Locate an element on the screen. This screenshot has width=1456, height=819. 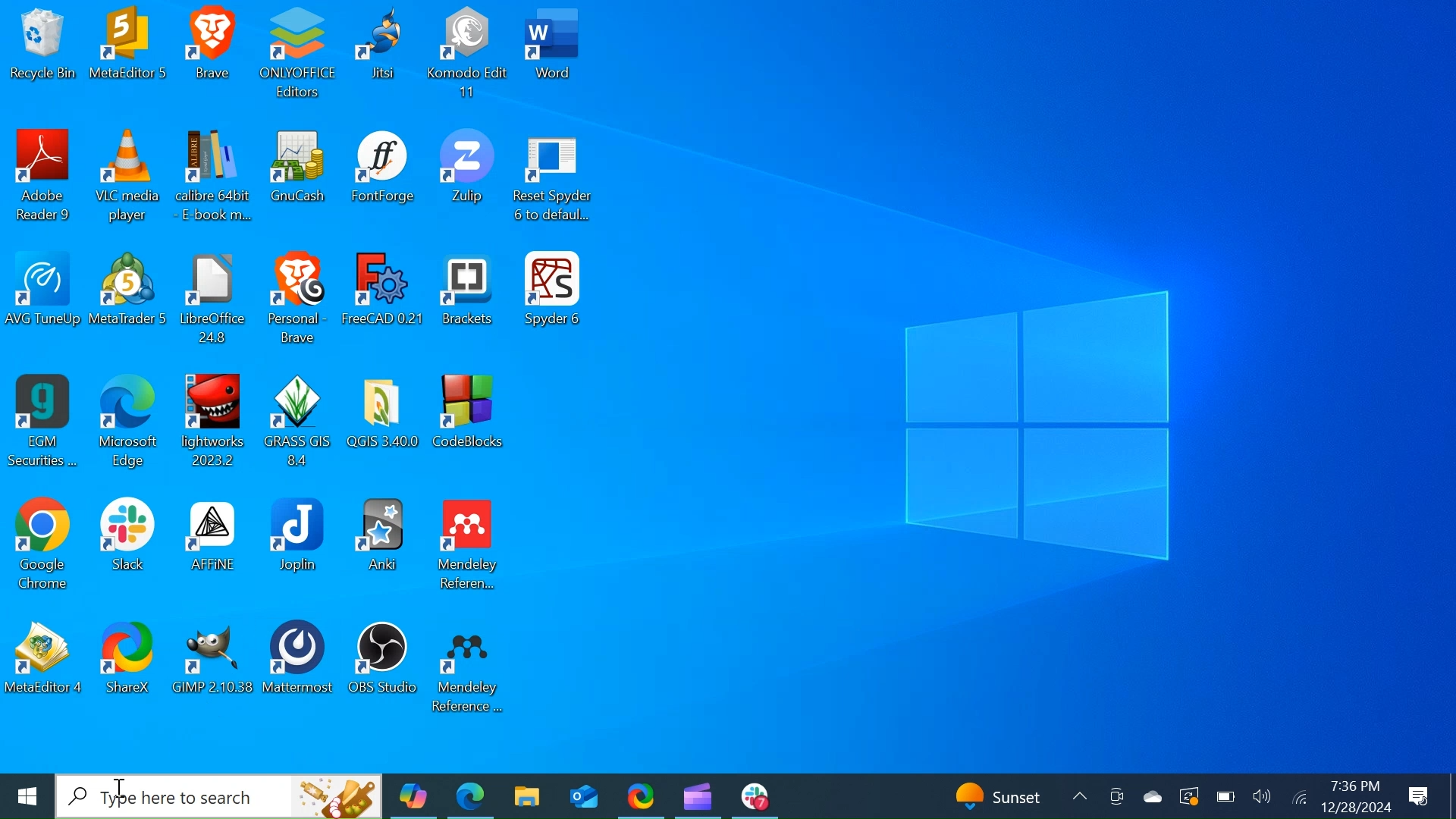
CodeBlocks Desktop Icon is located at coordinates (472, 423).